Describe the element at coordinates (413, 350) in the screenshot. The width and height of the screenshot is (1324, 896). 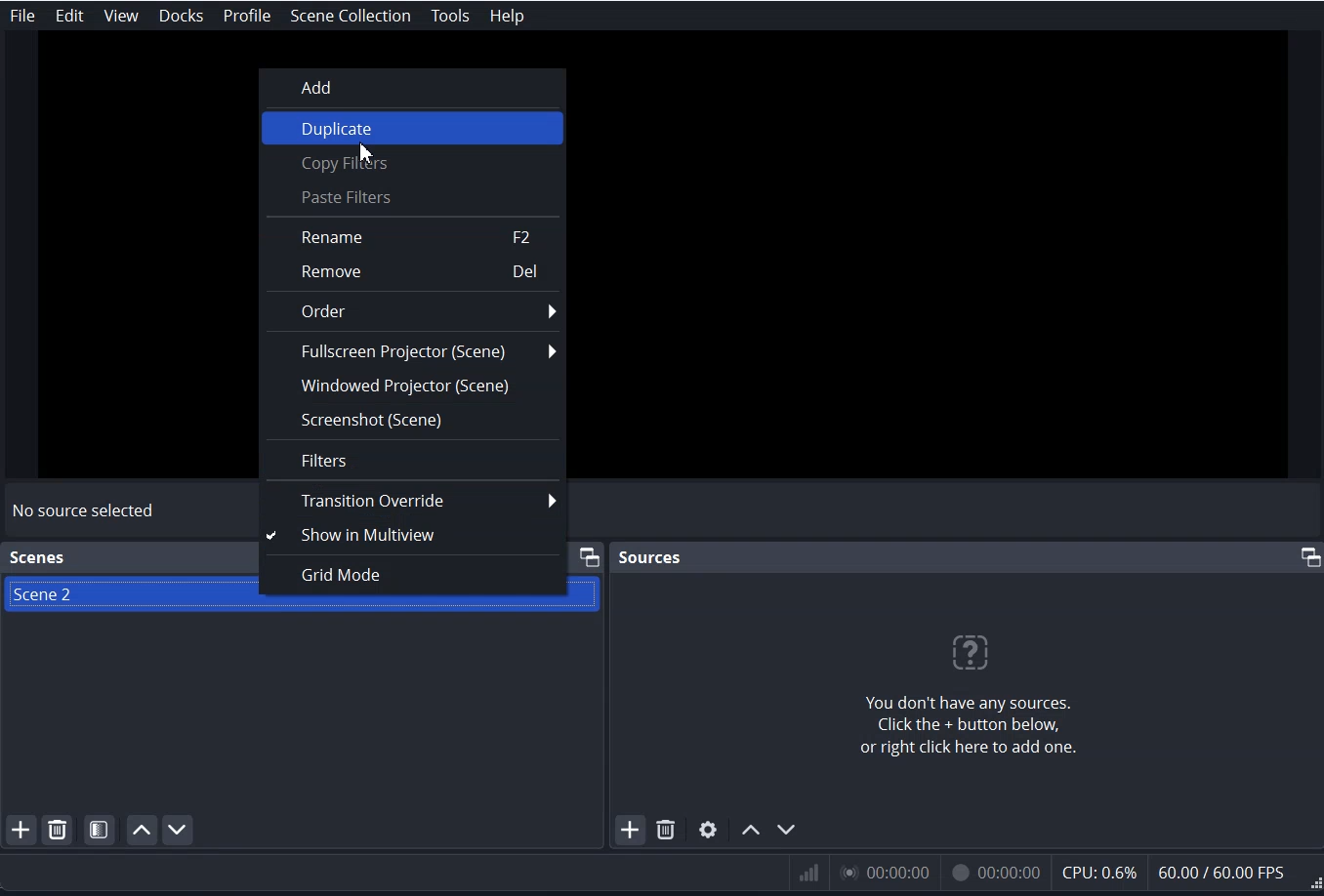
I see `Fullscreen Projector ` at that location.